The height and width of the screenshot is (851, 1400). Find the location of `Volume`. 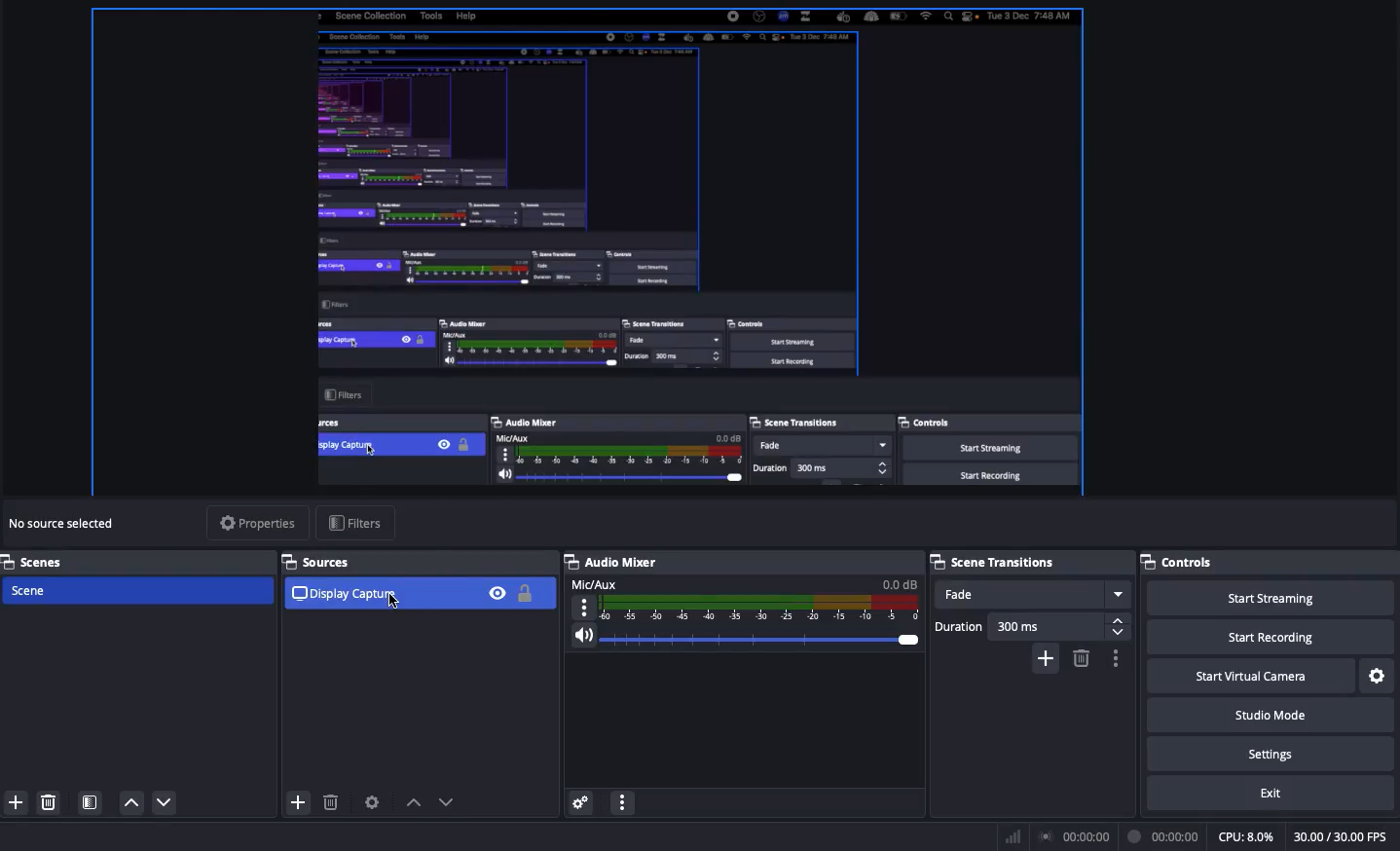

Volume is located at coordinates (747, 637).